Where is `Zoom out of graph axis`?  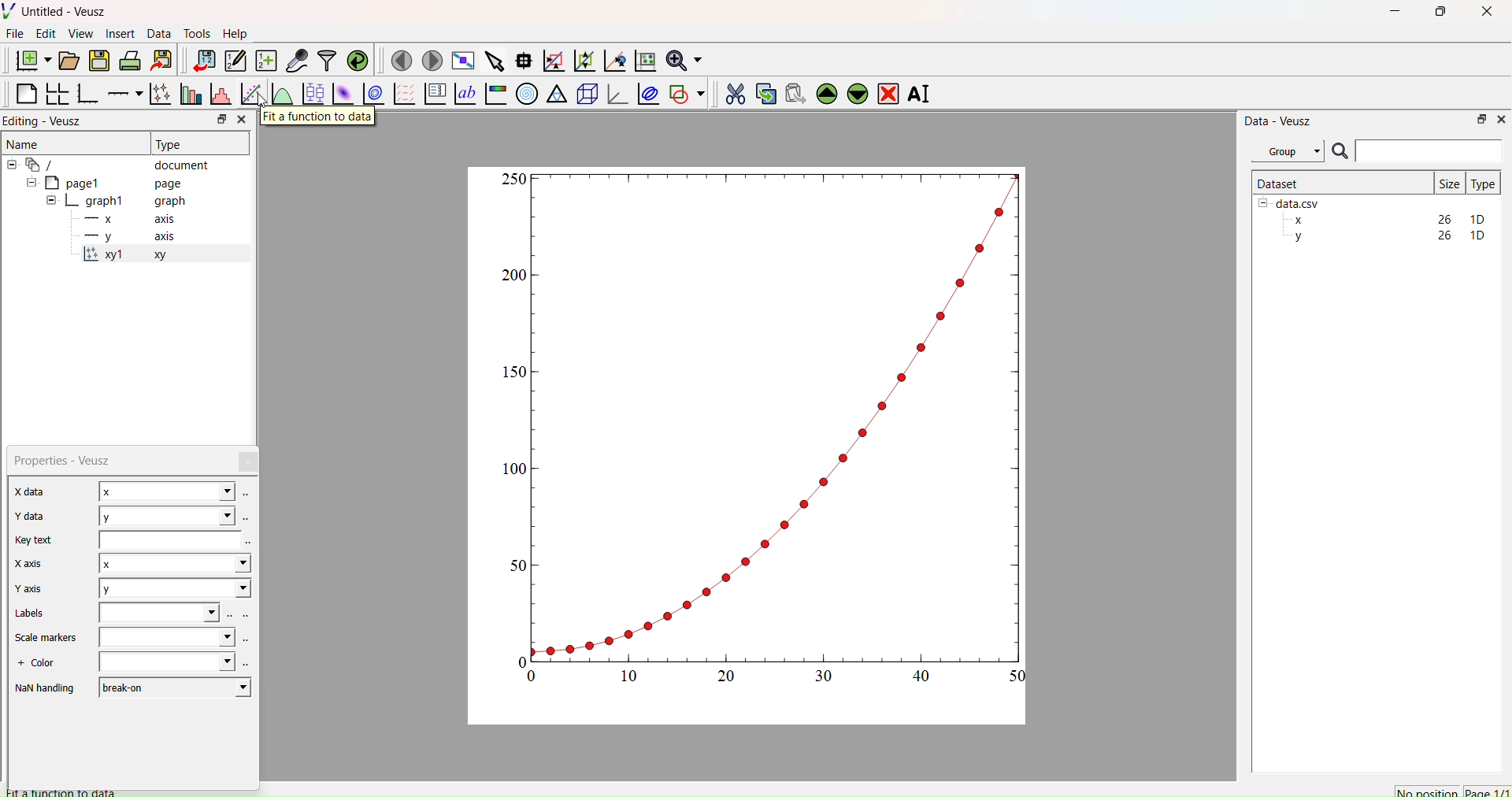 Zoom out of graph axis is located at coordinates (583, 59).